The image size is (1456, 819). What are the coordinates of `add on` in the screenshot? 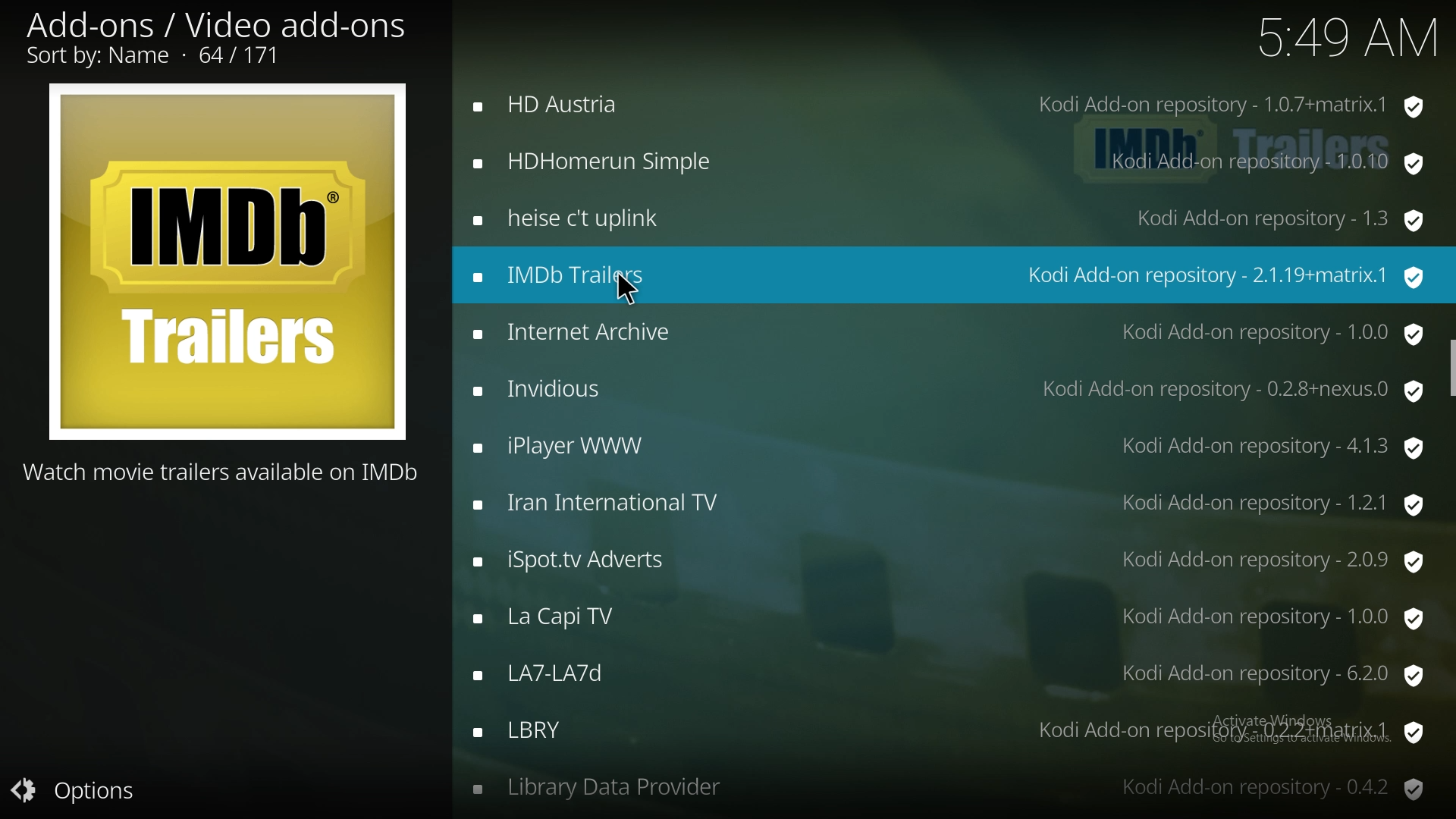 It's located at (948, 621).